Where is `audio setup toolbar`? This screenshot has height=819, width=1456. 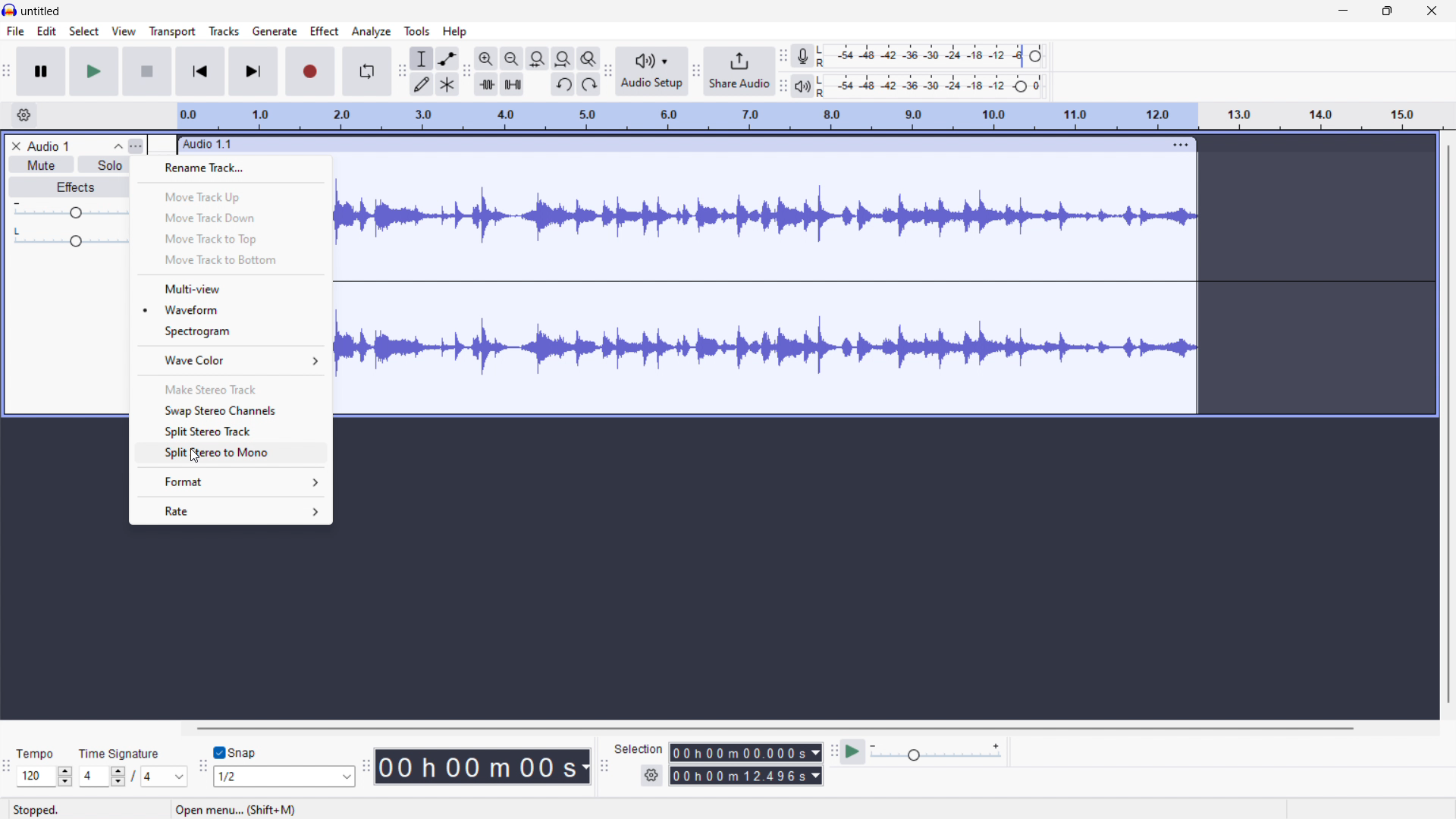
audio setup toolbar is located at coordinates (608, 71).